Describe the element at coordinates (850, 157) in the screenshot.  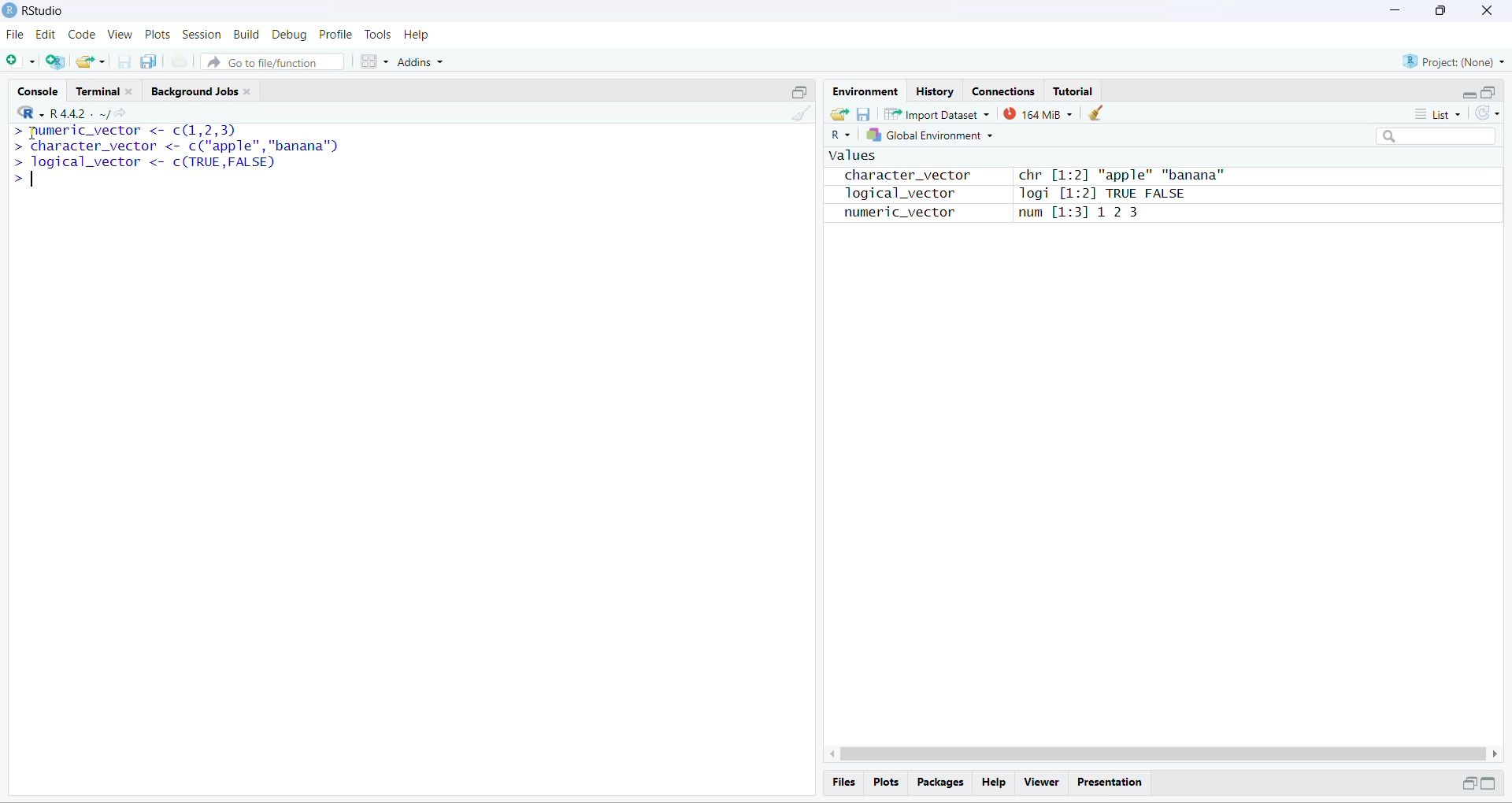
I see `values` at that location.